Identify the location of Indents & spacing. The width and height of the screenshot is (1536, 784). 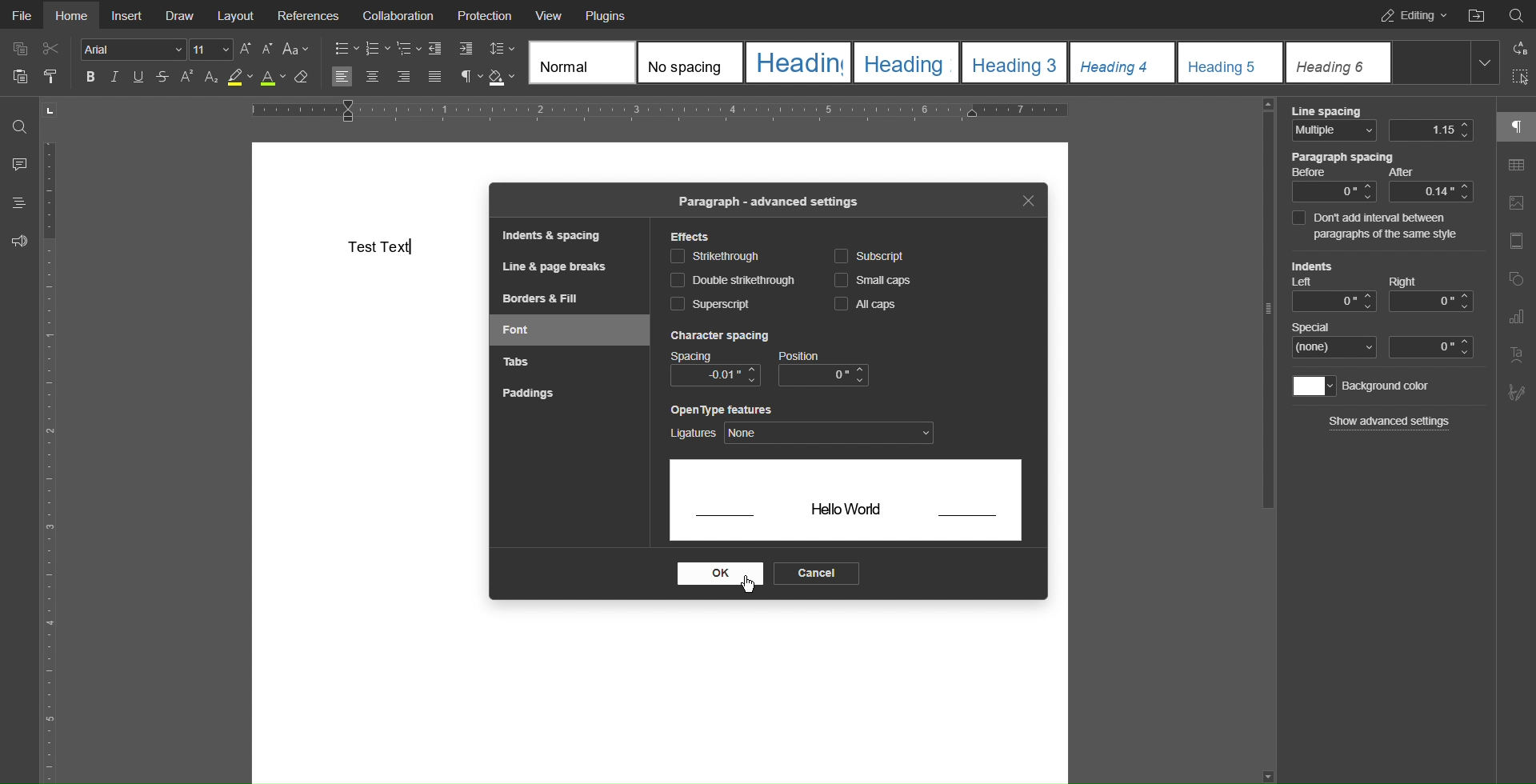
(554, 235).